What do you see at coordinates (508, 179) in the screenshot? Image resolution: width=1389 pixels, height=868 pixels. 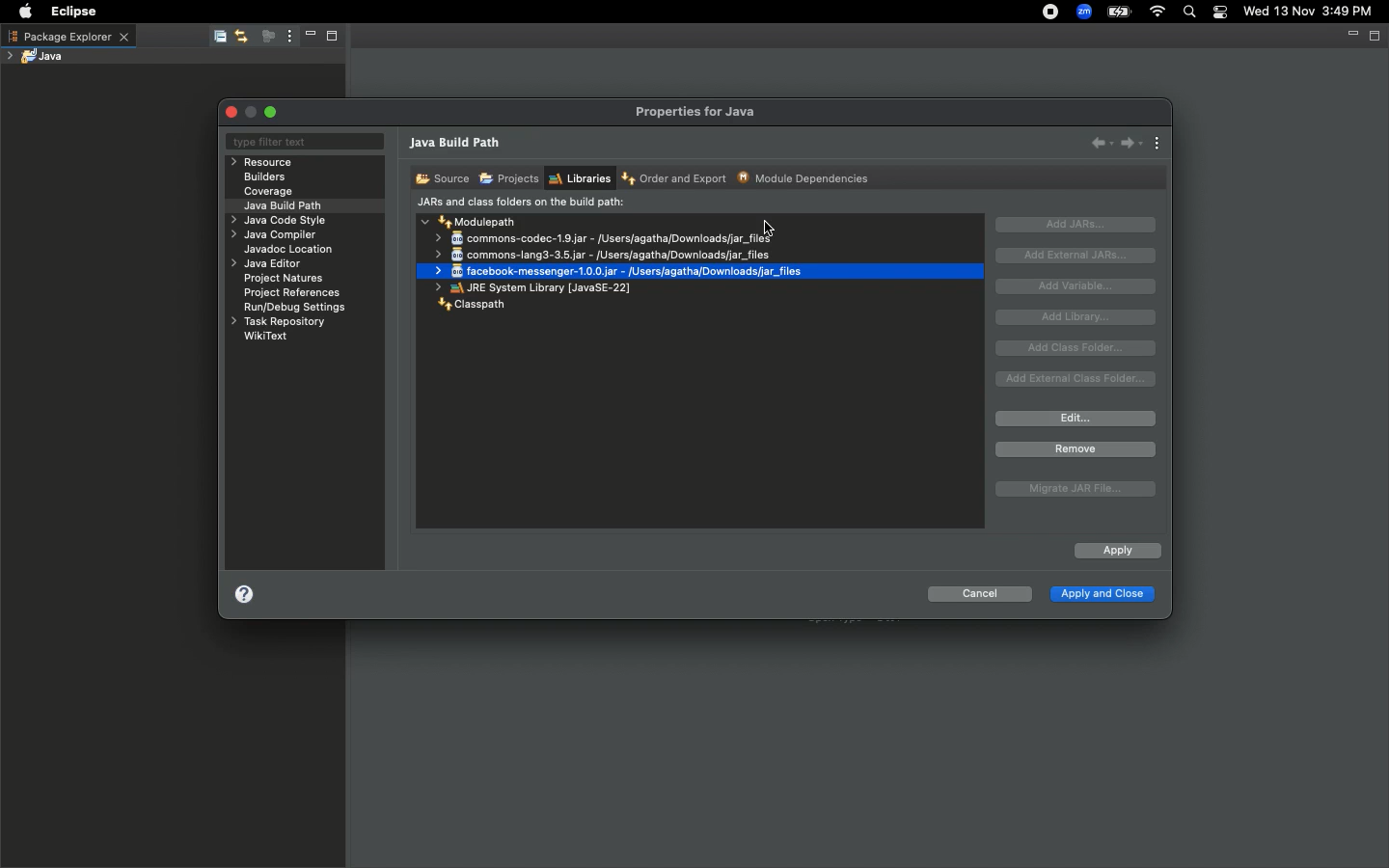 I see `Projects` at bounding box center [508, 179].